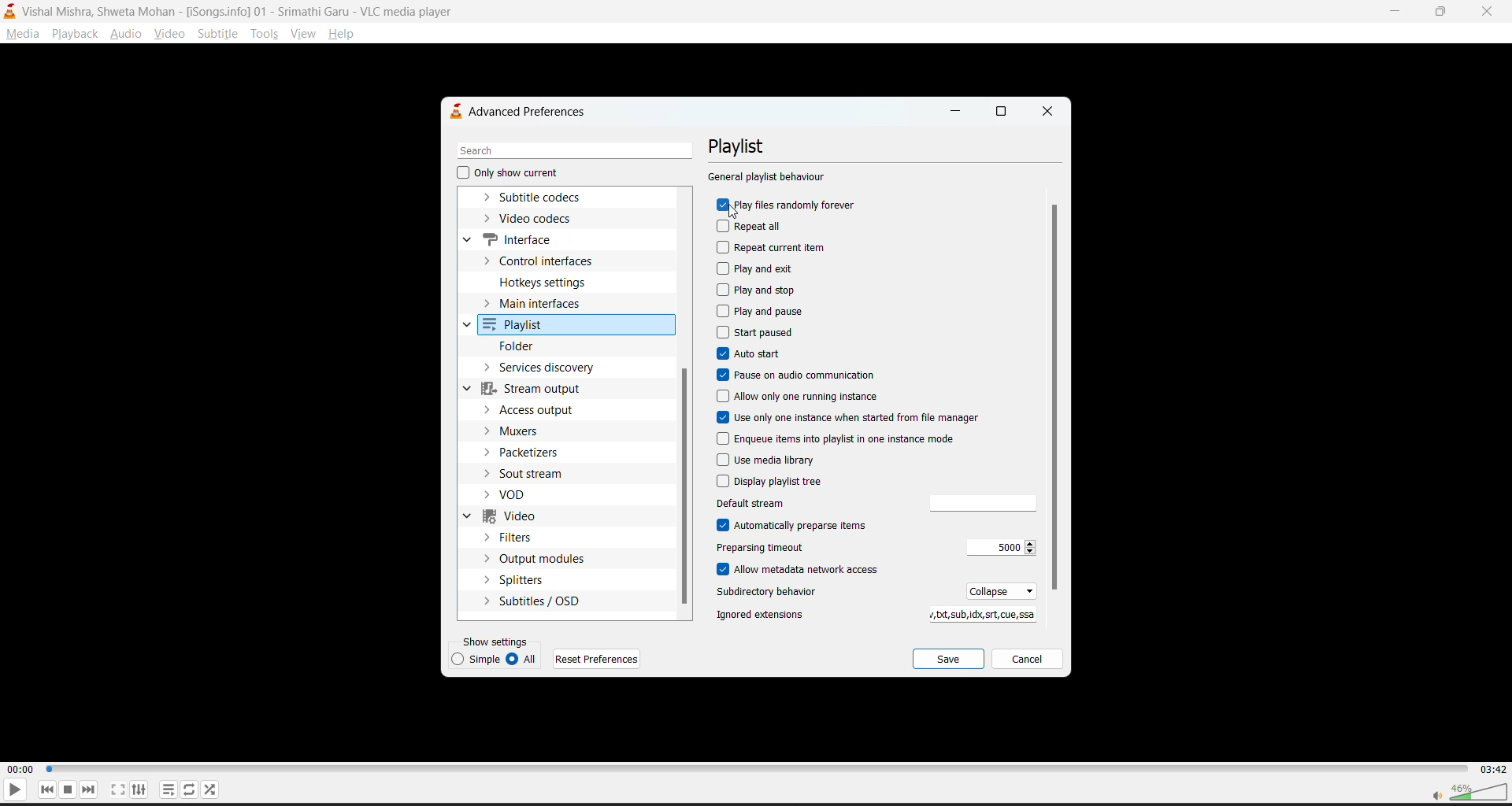 The image size is (1512, 806). What do you see at coordinates (76, 35) in the screenshot?
I see `playback` at bounding box center [76, 35].